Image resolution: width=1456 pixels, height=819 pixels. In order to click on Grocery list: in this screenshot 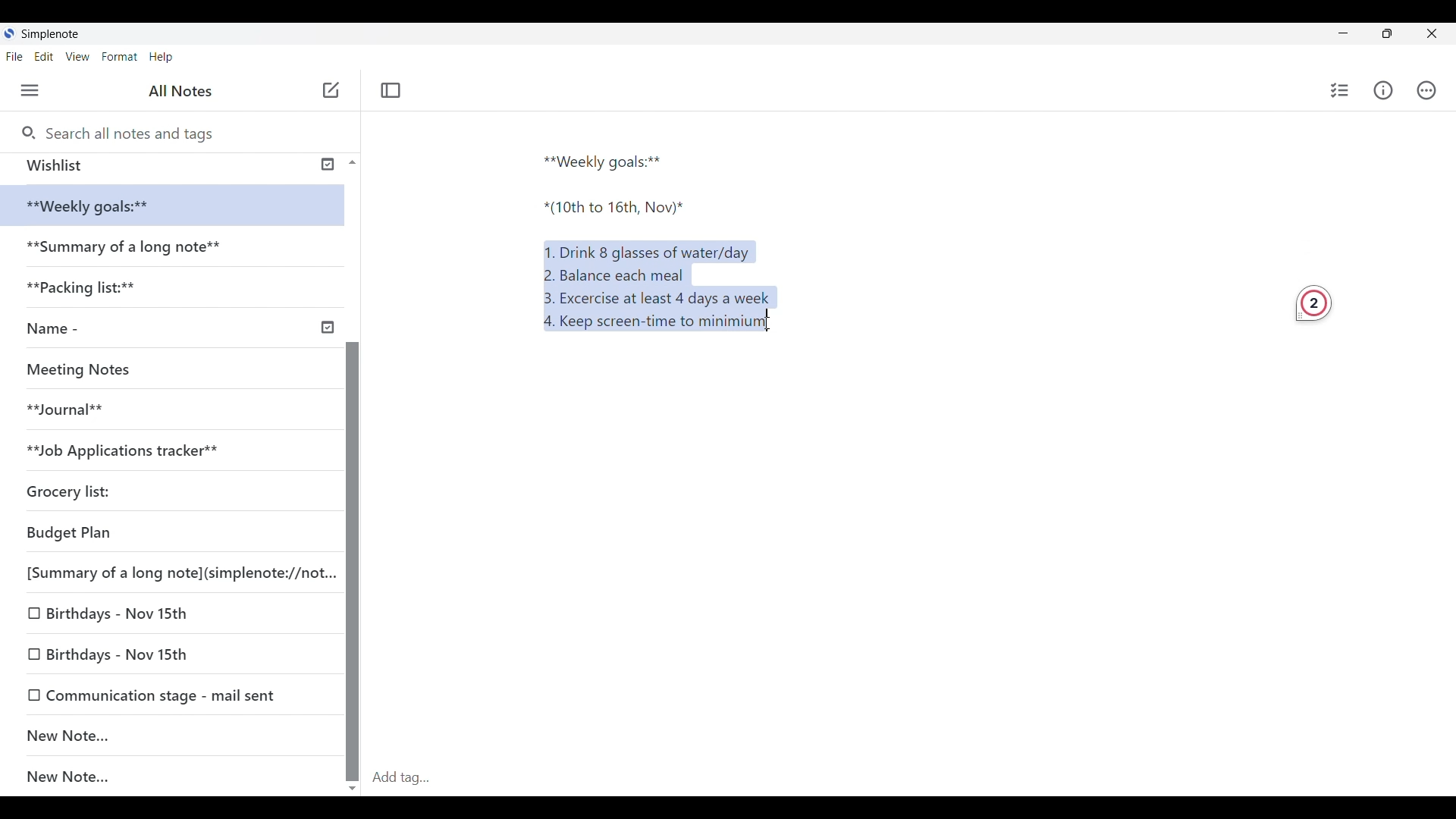, I will do `click(92, 487)`.